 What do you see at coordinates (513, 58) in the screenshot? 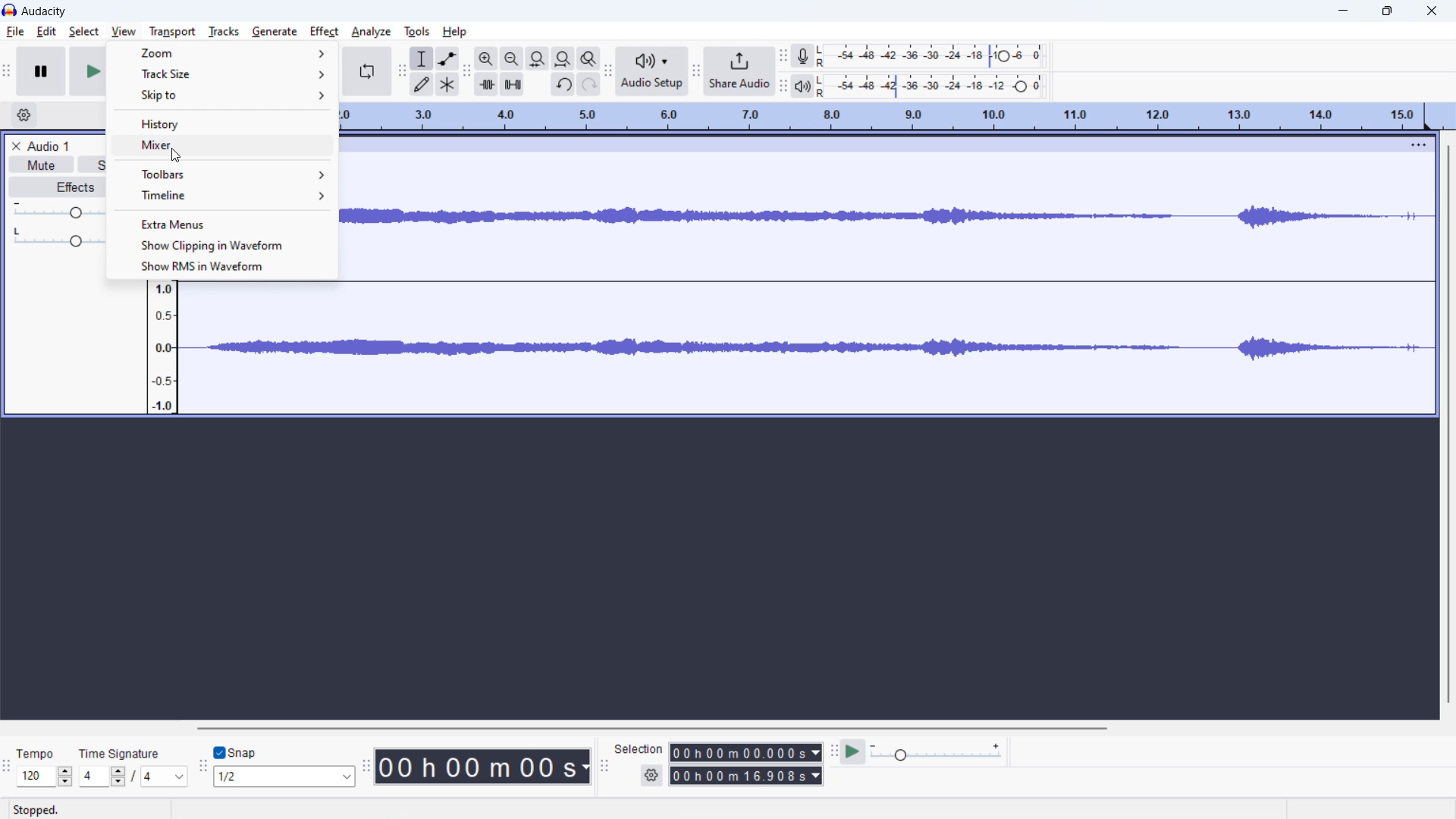
I see `zoom out` at bounding box center [513, 58].